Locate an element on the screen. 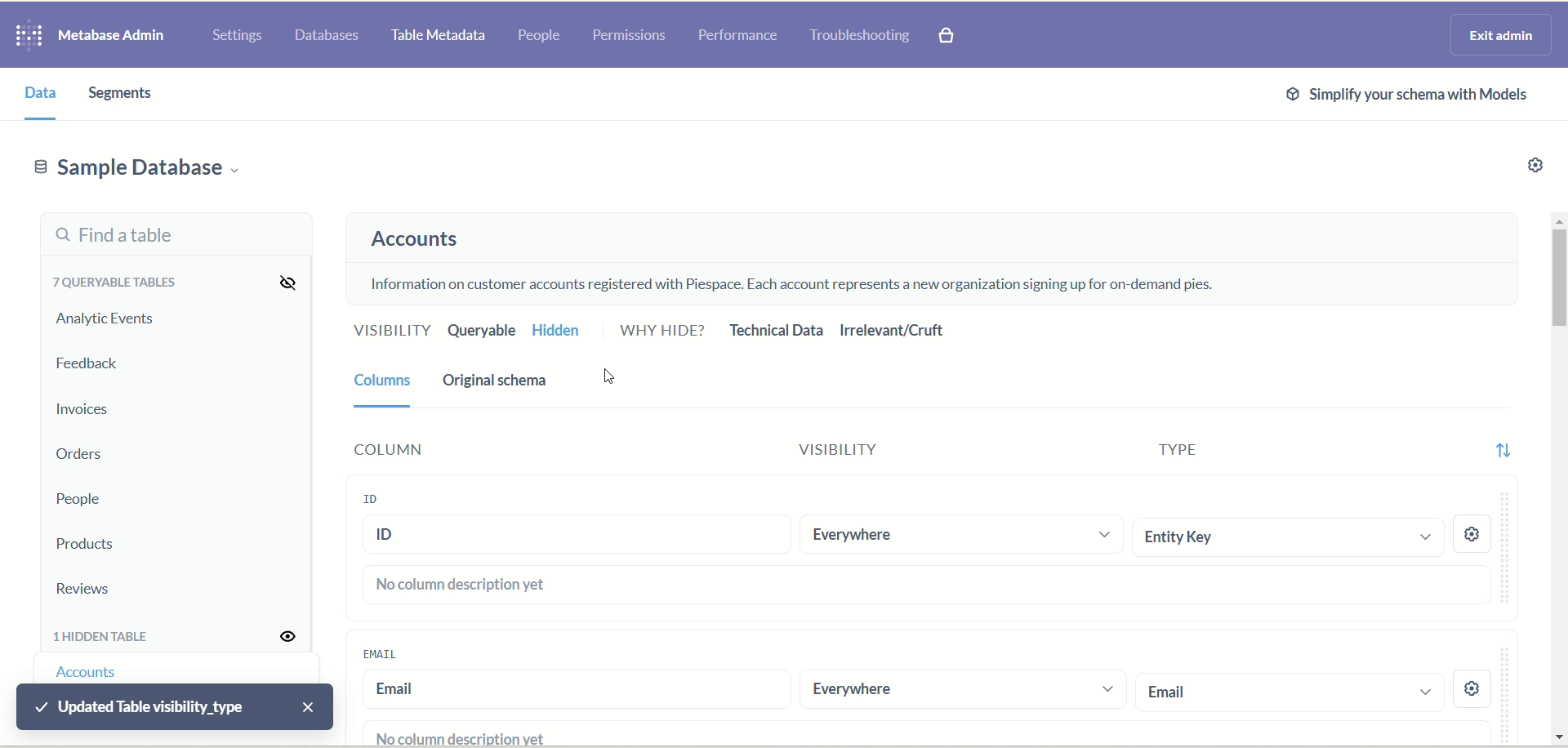  columns is located at coordinates (385, 388).